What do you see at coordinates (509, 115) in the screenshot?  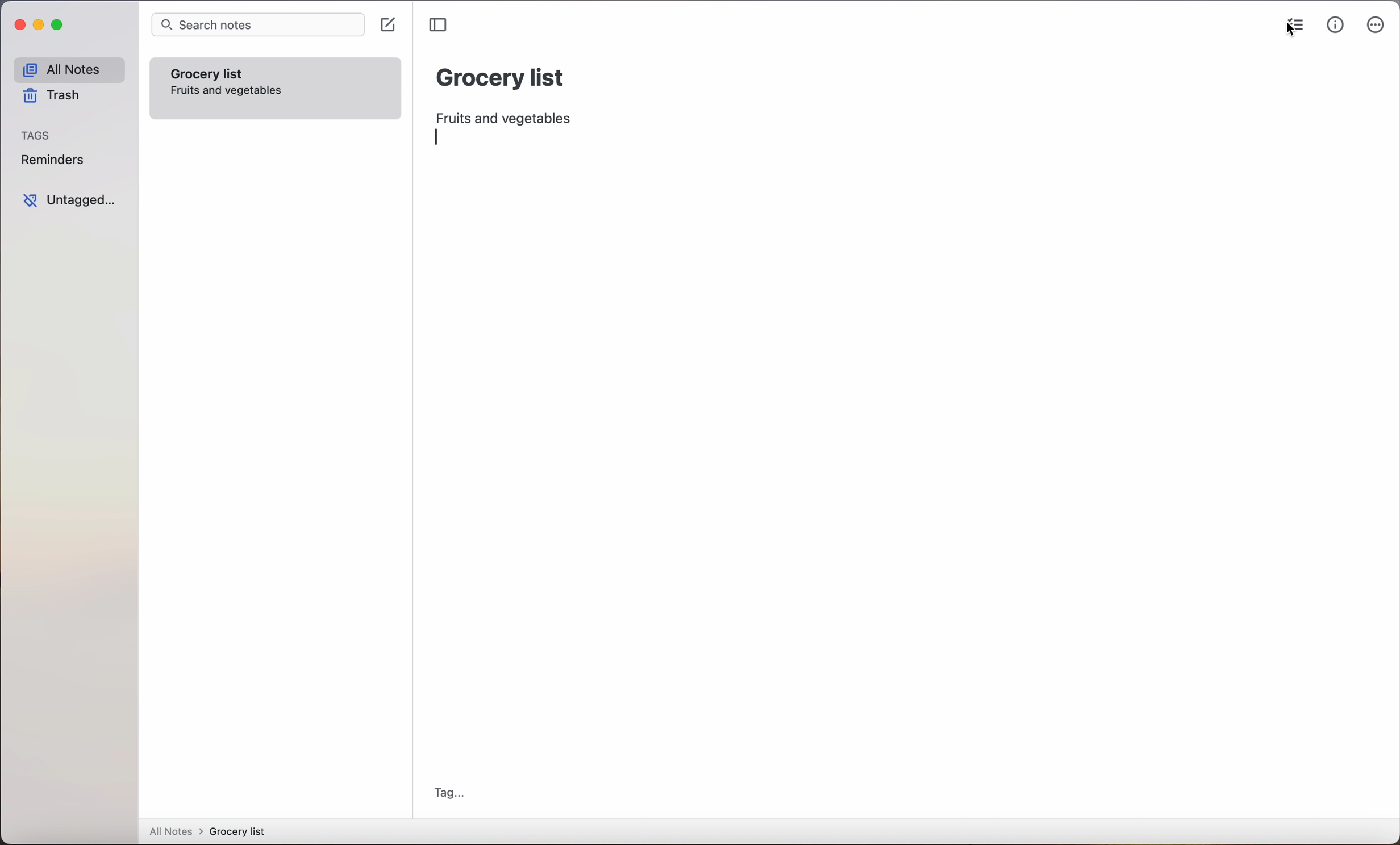 I see `fruits and vegetables` at bounding box center [509, 115].